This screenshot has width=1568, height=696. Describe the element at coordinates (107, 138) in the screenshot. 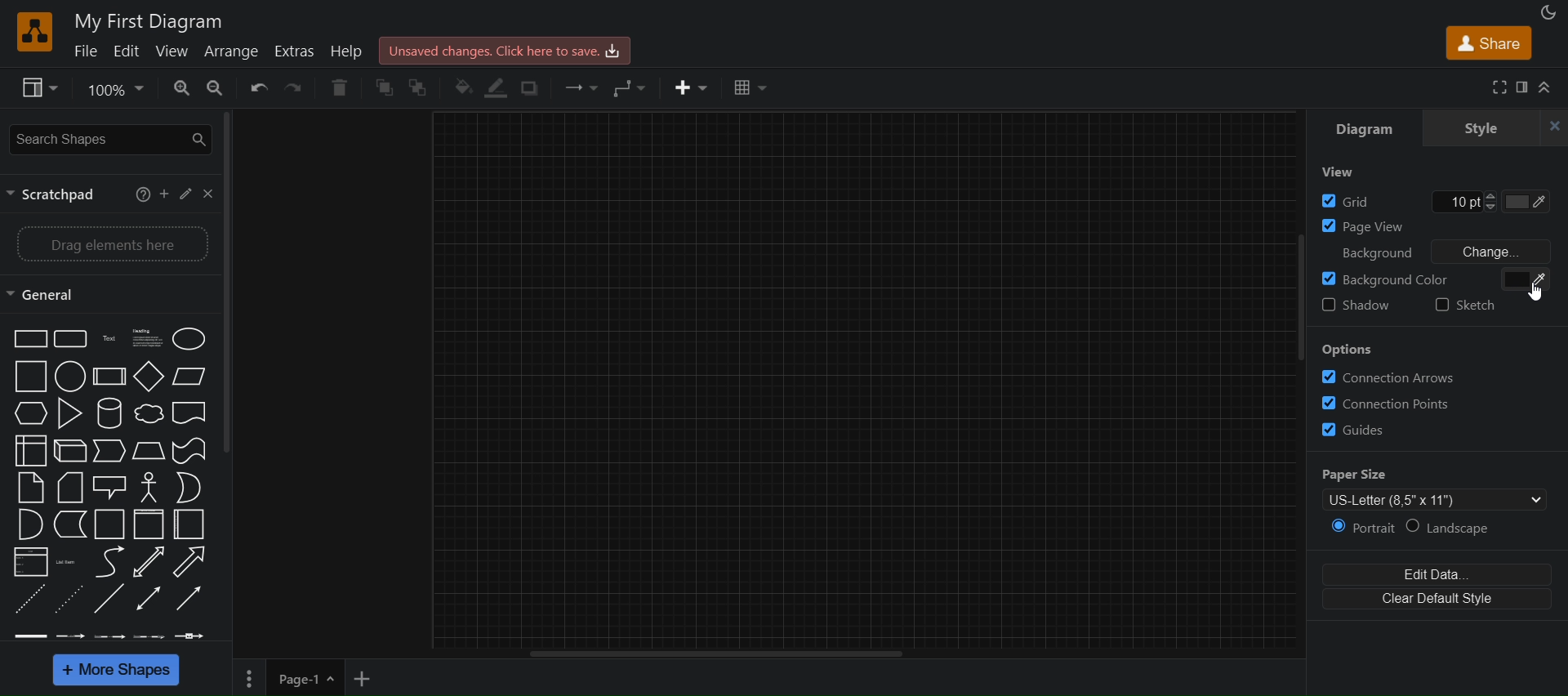

I see `seearch shapes` at that location.